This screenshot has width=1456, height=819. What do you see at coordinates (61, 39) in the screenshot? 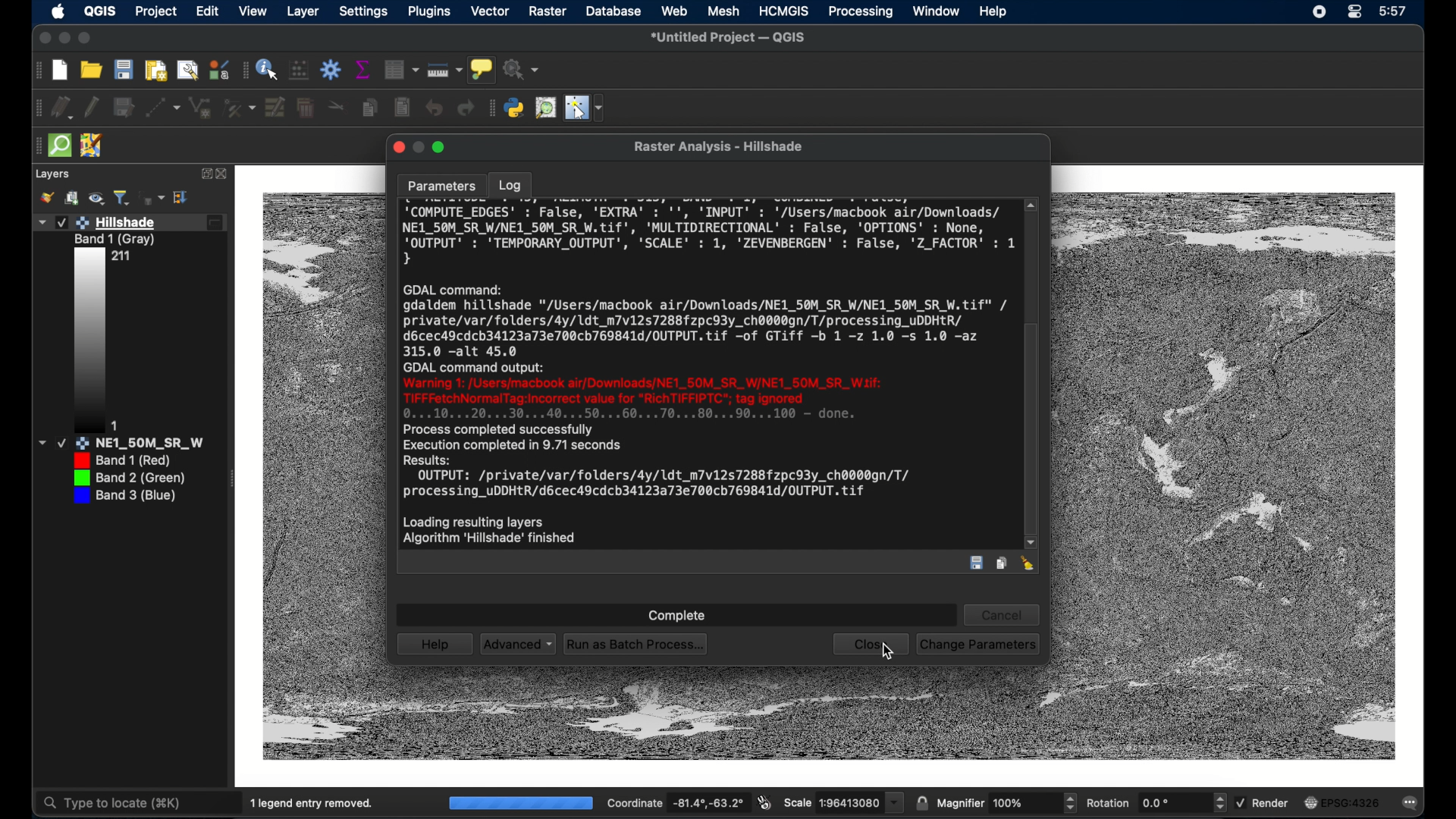
I see `minimize ` at bounding box center [61, 39].